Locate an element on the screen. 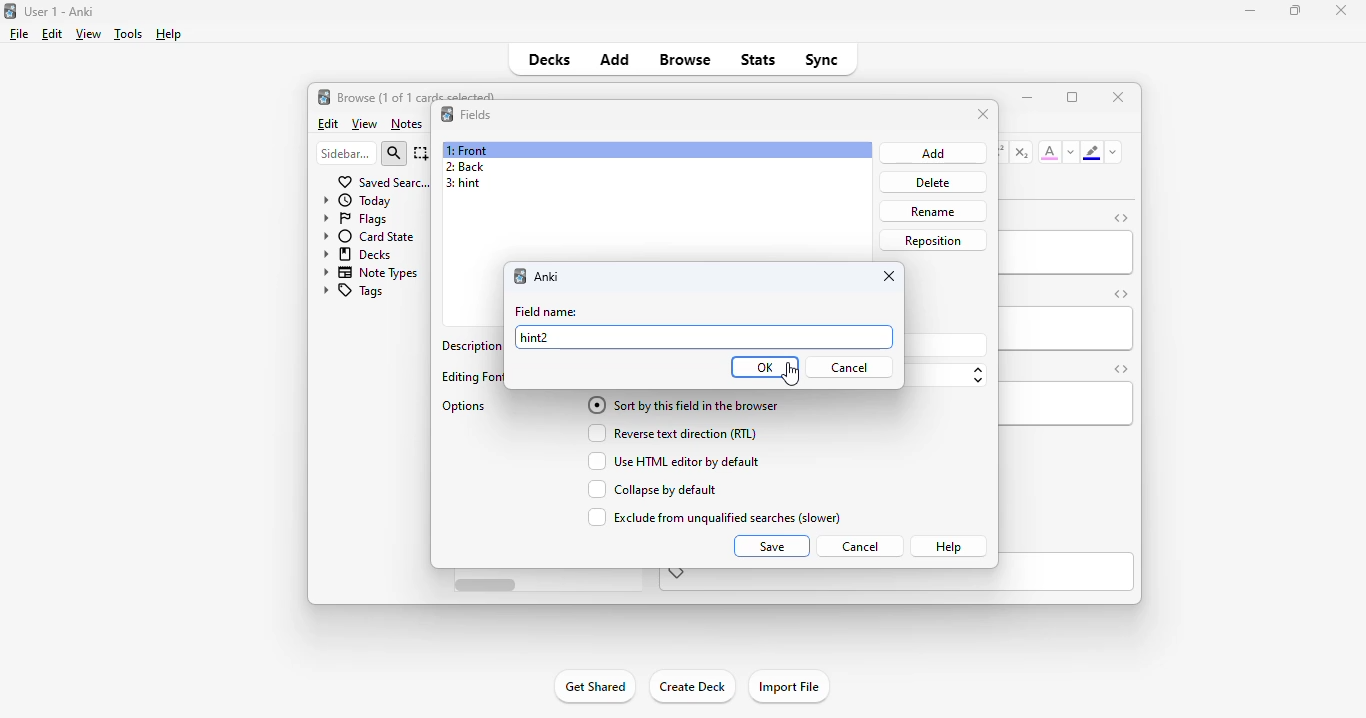 The width and height of the screenshot is (1366, 718). close is located at coordinates (1119, 96).